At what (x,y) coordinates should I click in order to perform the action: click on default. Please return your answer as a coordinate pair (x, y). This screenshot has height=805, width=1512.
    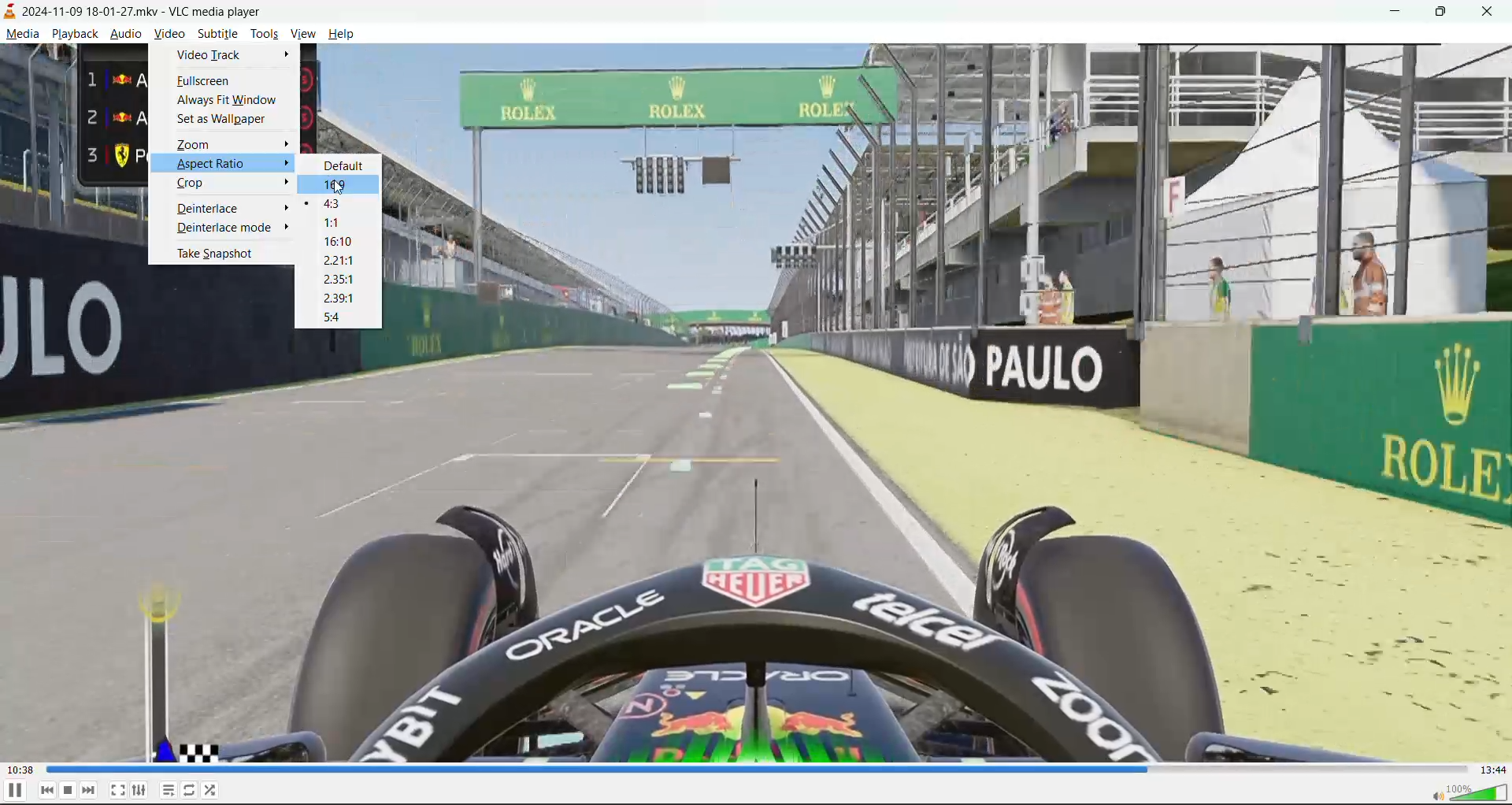
    Looking at the image, I should click on (348, 165).